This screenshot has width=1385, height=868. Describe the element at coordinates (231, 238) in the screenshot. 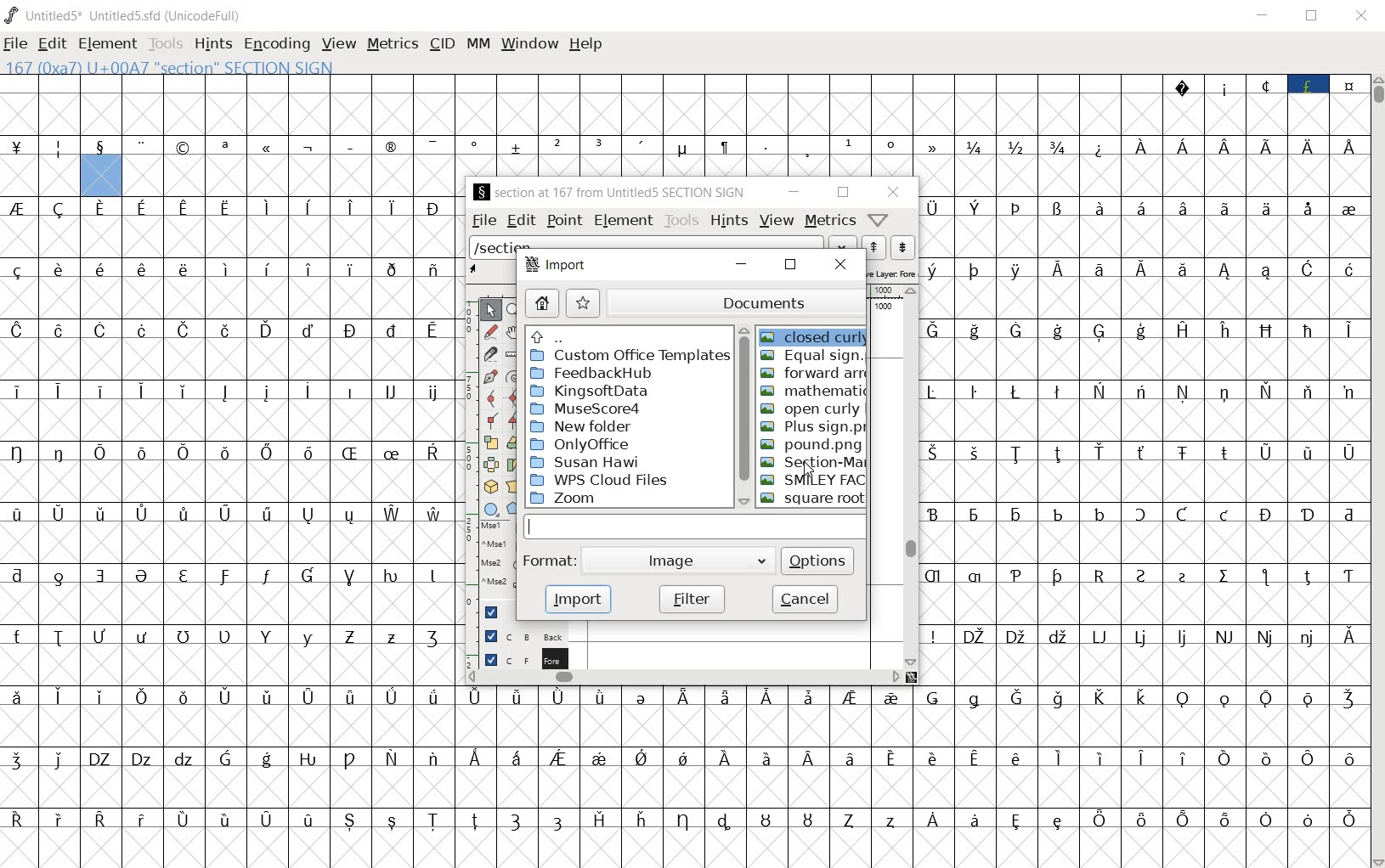

I see `empty cells` at that location.